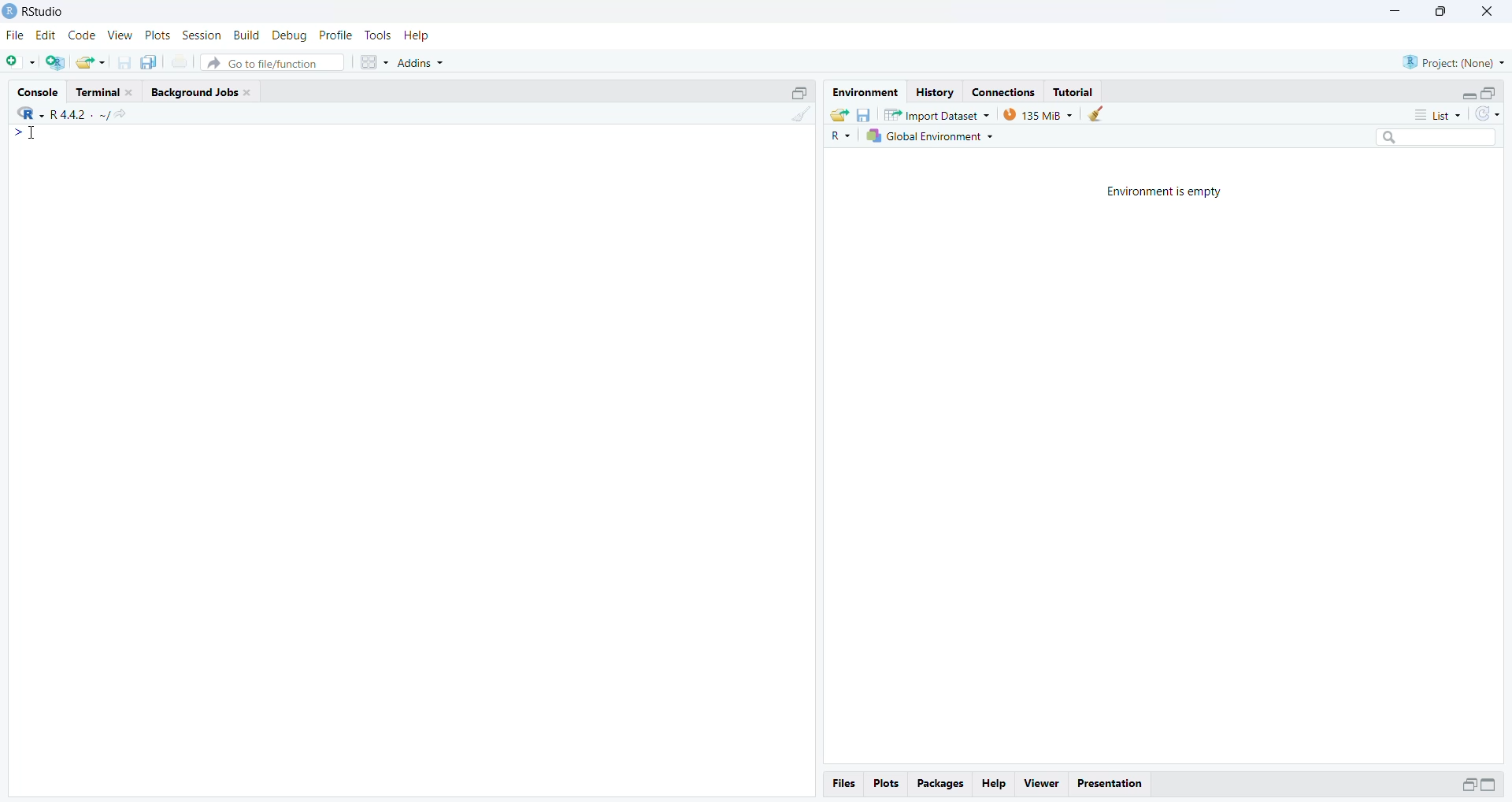 The image size is (1512, 802). What do you see at coordinates (933, 138) in the screenshot?
I see `Global Environment` at bounding box center [933, 138].